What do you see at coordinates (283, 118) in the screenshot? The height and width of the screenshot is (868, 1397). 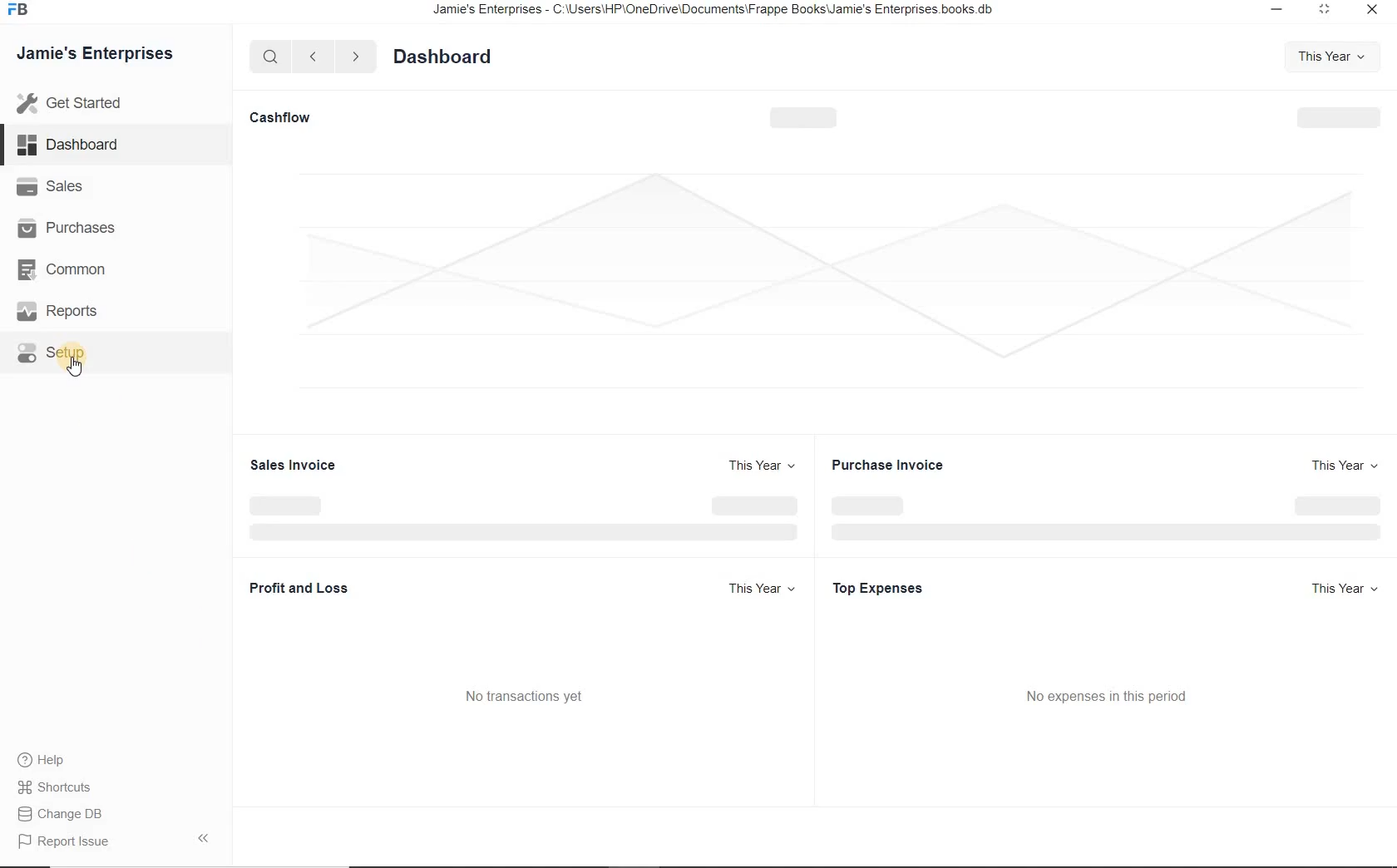 I see `Cashflow` at bounding box center [283, 118].